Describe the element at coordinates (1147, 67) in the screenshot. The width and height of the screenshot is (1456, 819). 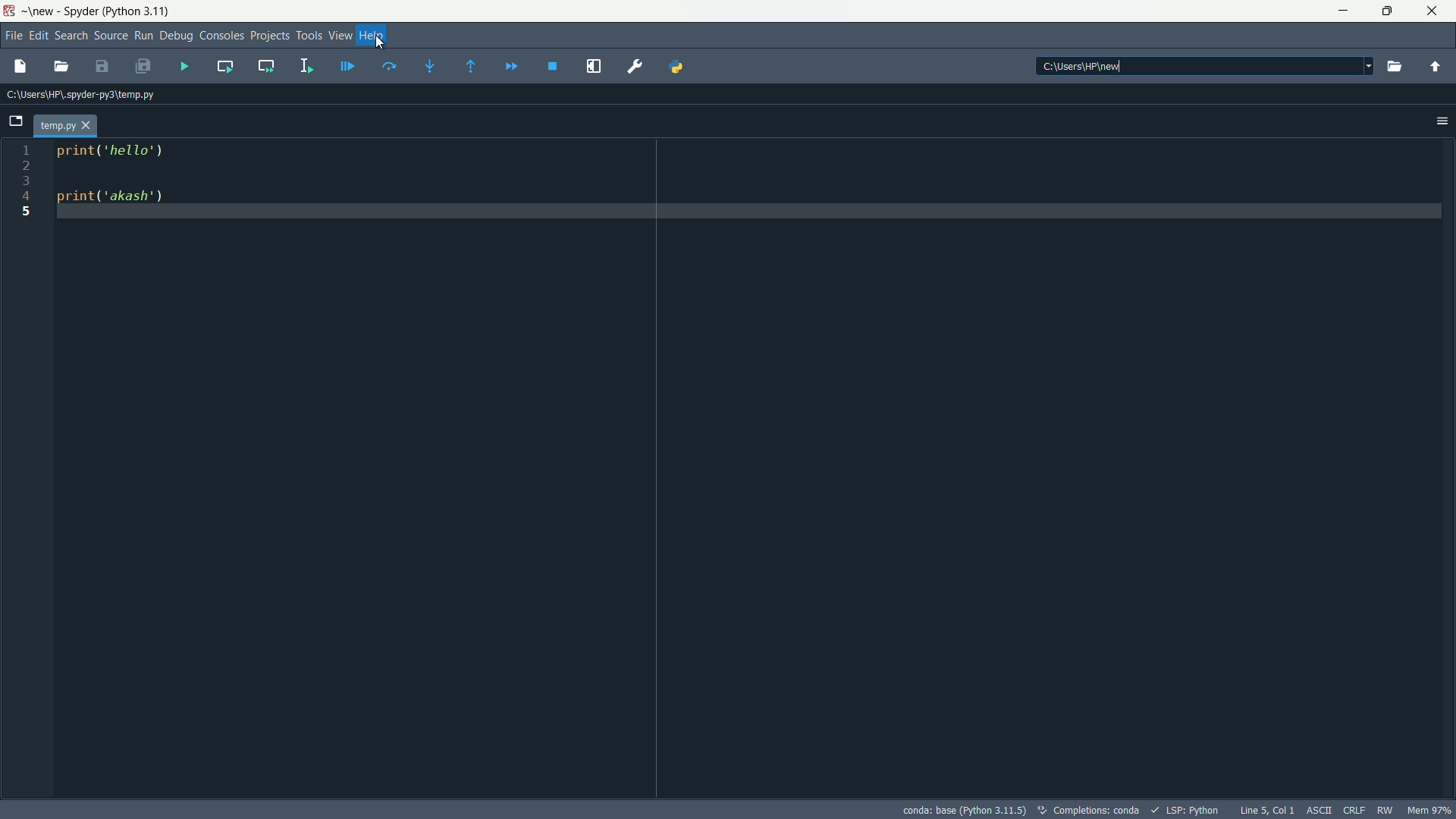
I see `C:\USERS\HP\NEW` at that location.